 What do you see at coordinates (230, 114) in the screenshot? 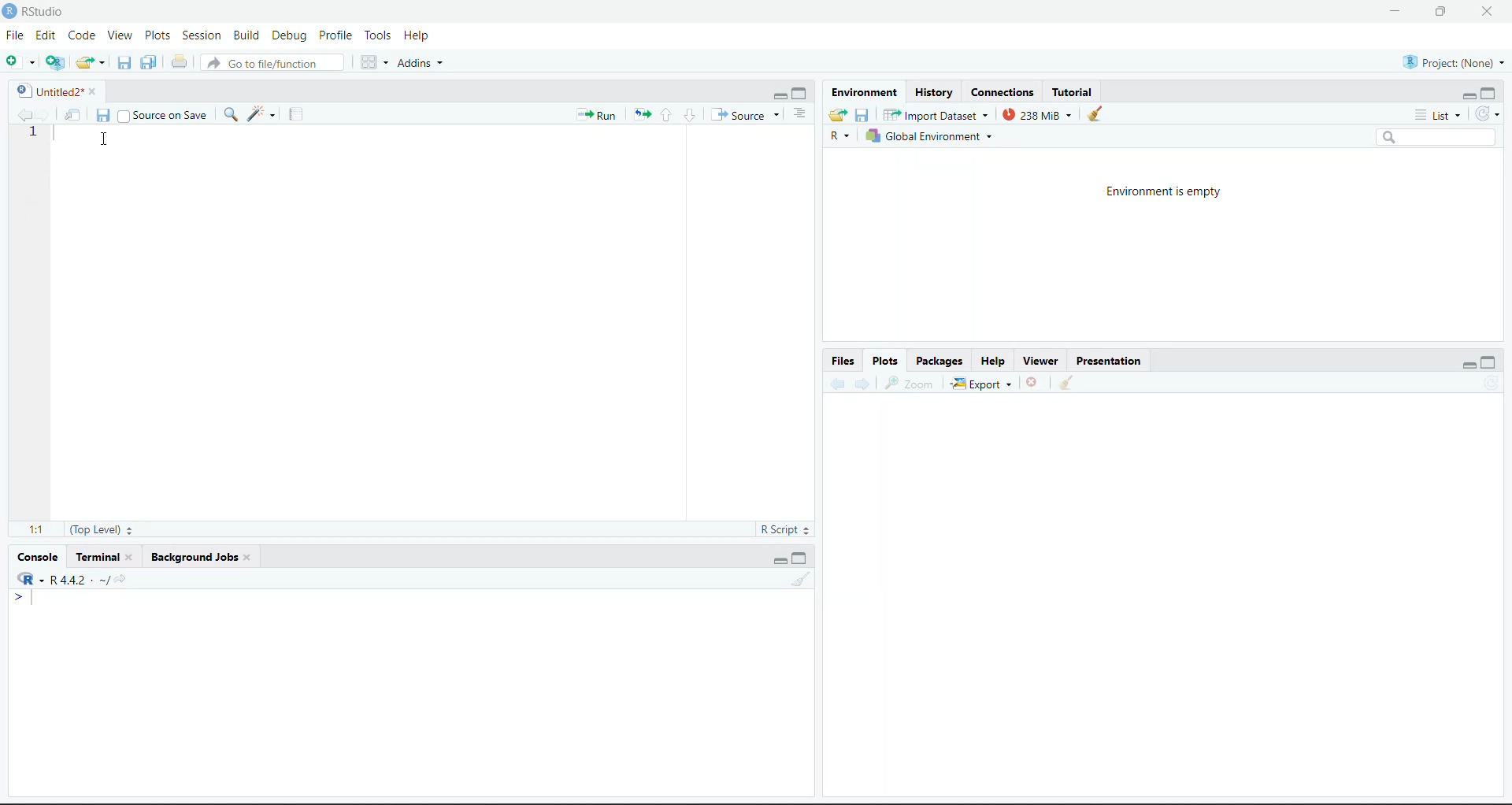
I see `search` at bounding box center [230, 114].